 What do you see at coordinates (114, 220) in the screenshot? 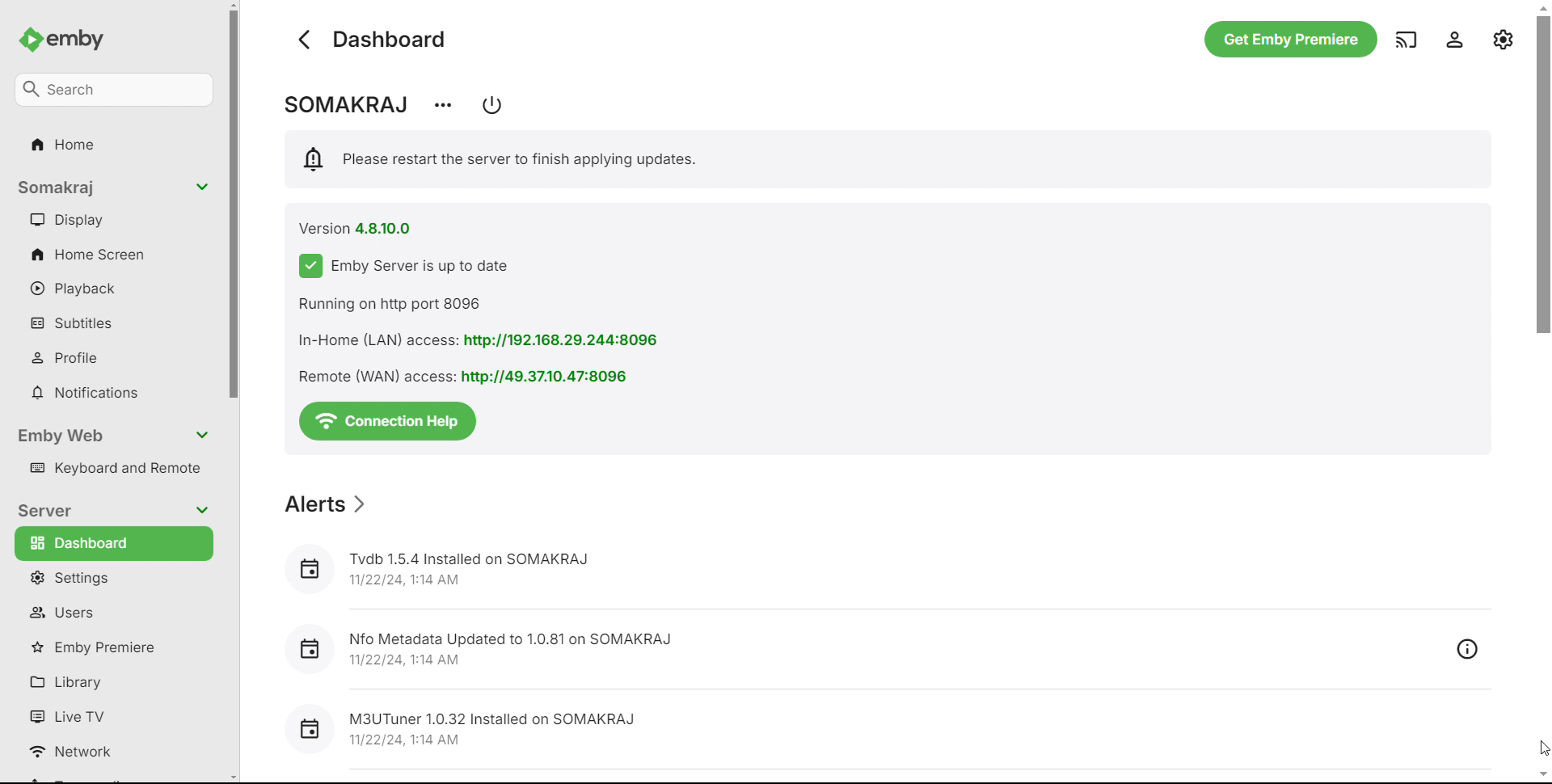
I see `display` at bounding box center [114, 220].